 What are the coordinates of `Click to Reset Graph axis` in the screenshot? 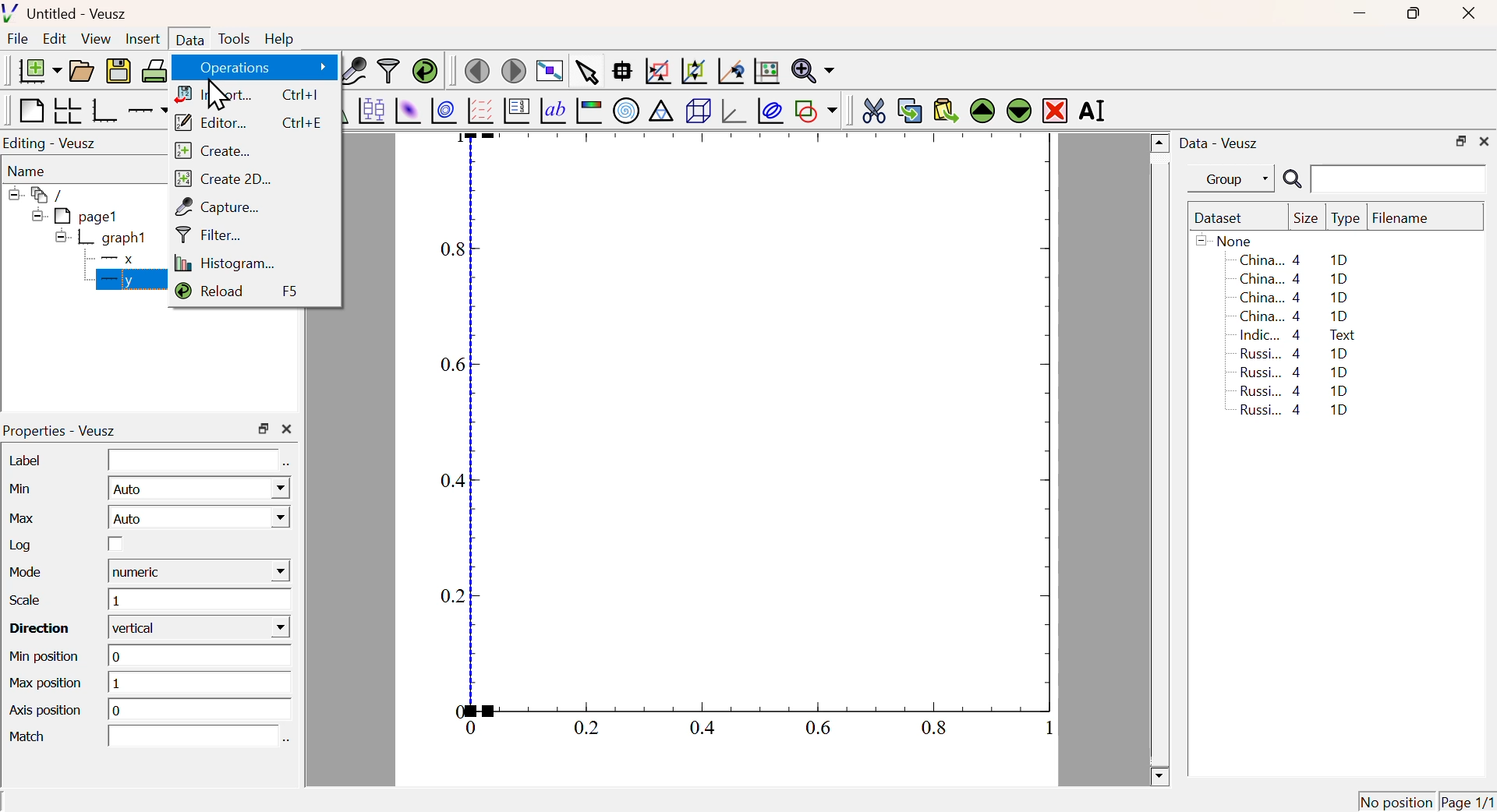 It's located at (766, 69).